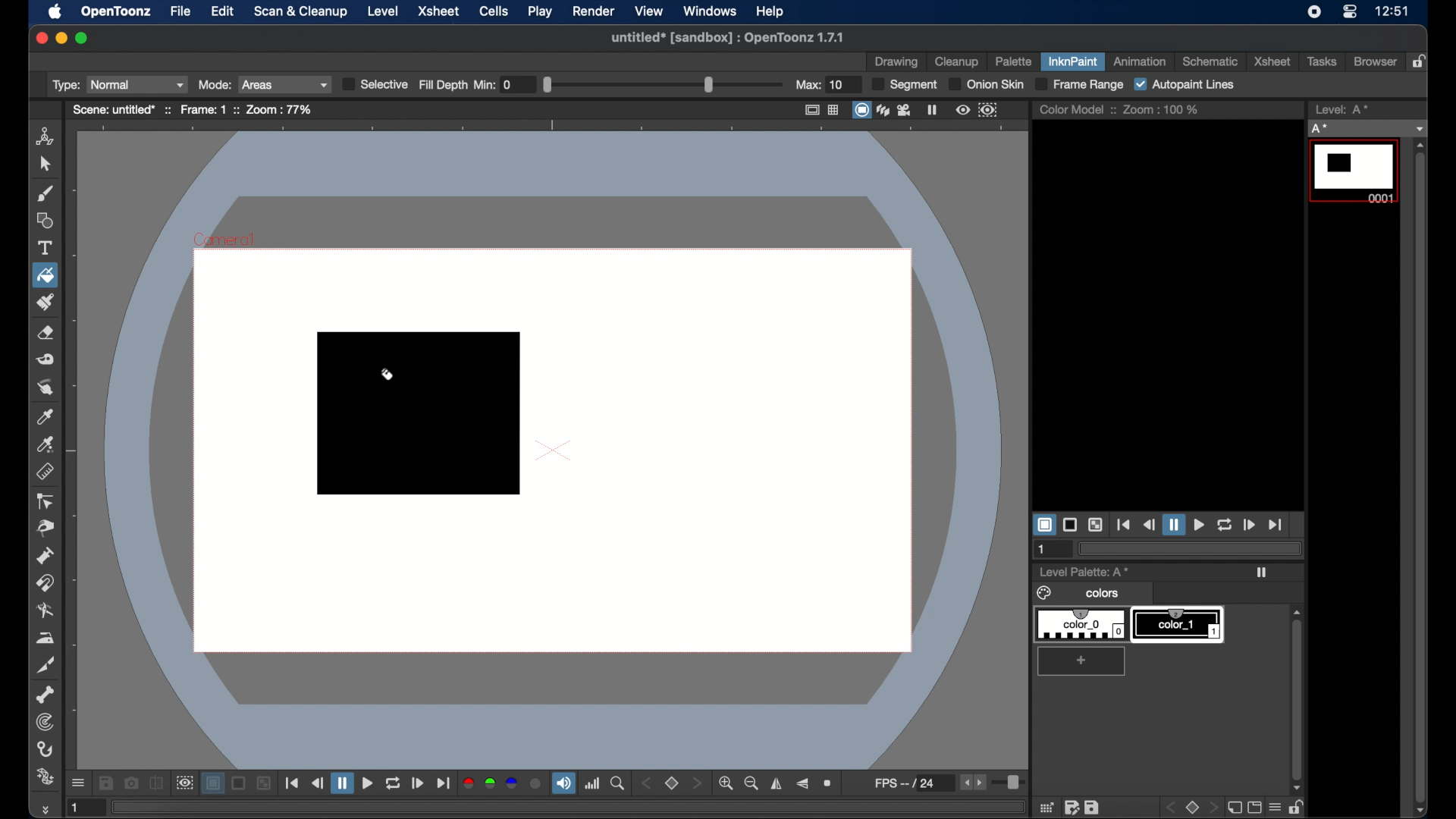  Describe the element at coordinates (1085, 571) in the screenshot. I see `level palette: A*` at that location.